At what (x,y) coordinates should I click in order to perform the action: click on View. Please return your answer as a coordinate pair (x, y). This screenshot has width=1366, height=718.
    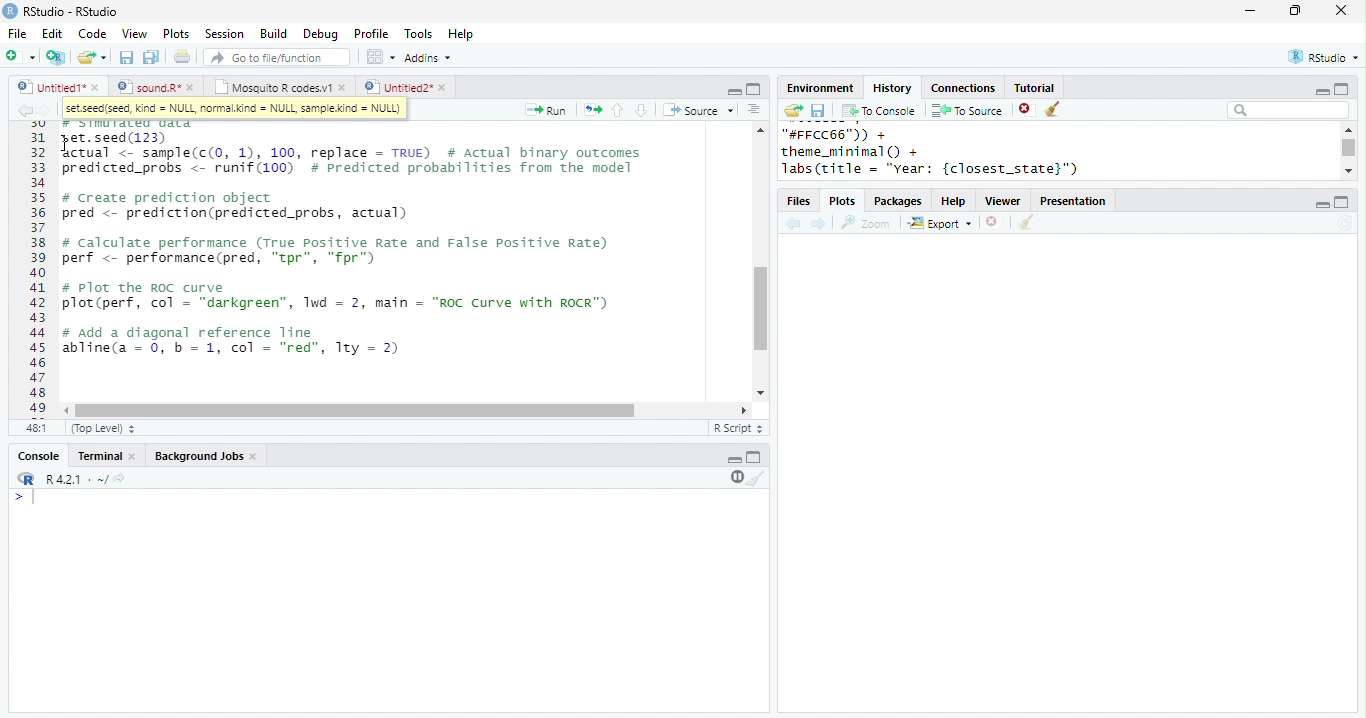
    Looking at the image, I should click on (134, 34).